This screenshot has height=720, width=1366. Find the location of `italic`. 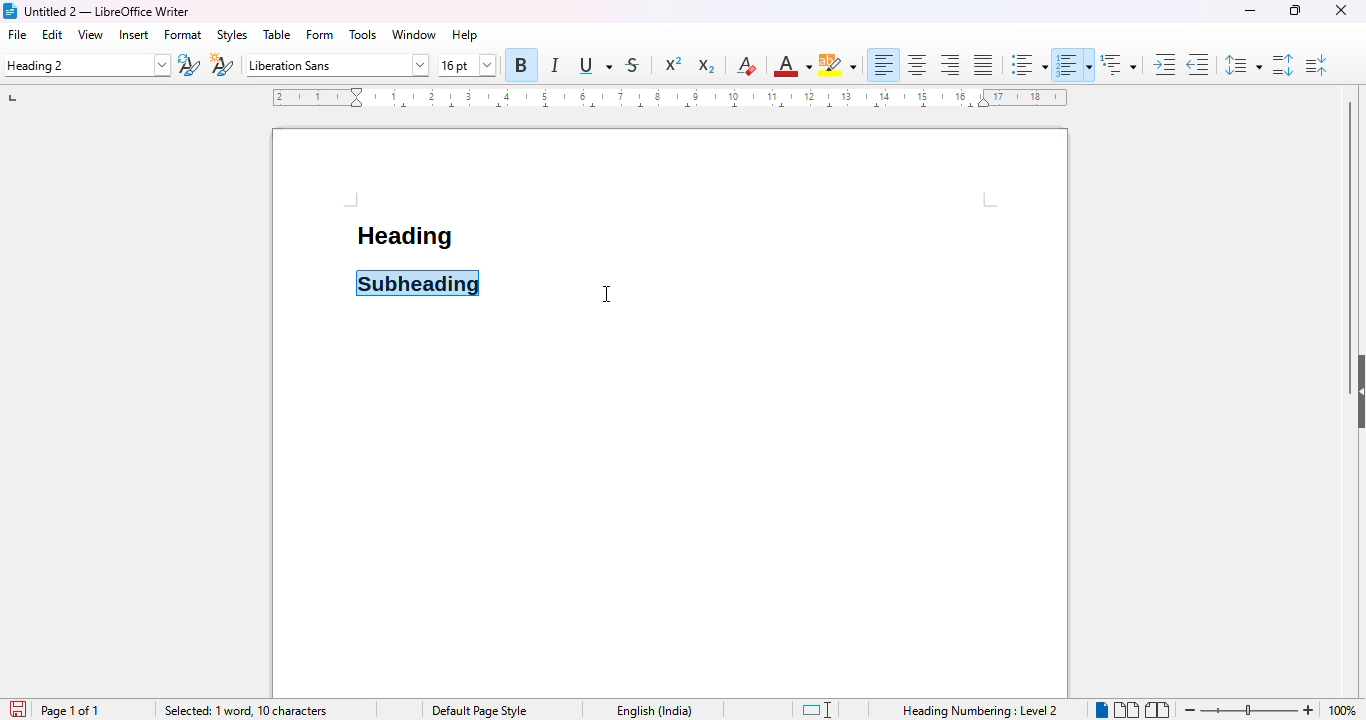

italic is located at coordinates (555, 64).